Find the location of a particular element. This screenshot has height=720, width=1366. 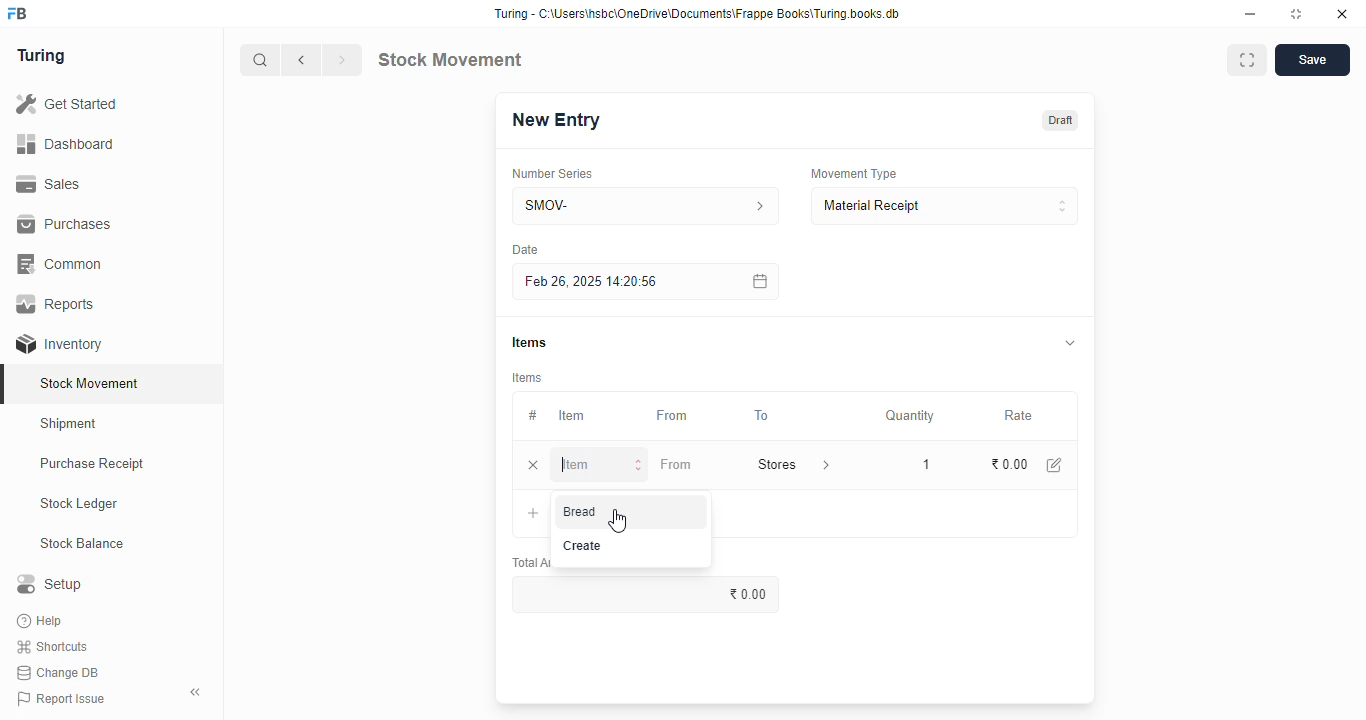

shortcuts is located at coordinates (52, 647).